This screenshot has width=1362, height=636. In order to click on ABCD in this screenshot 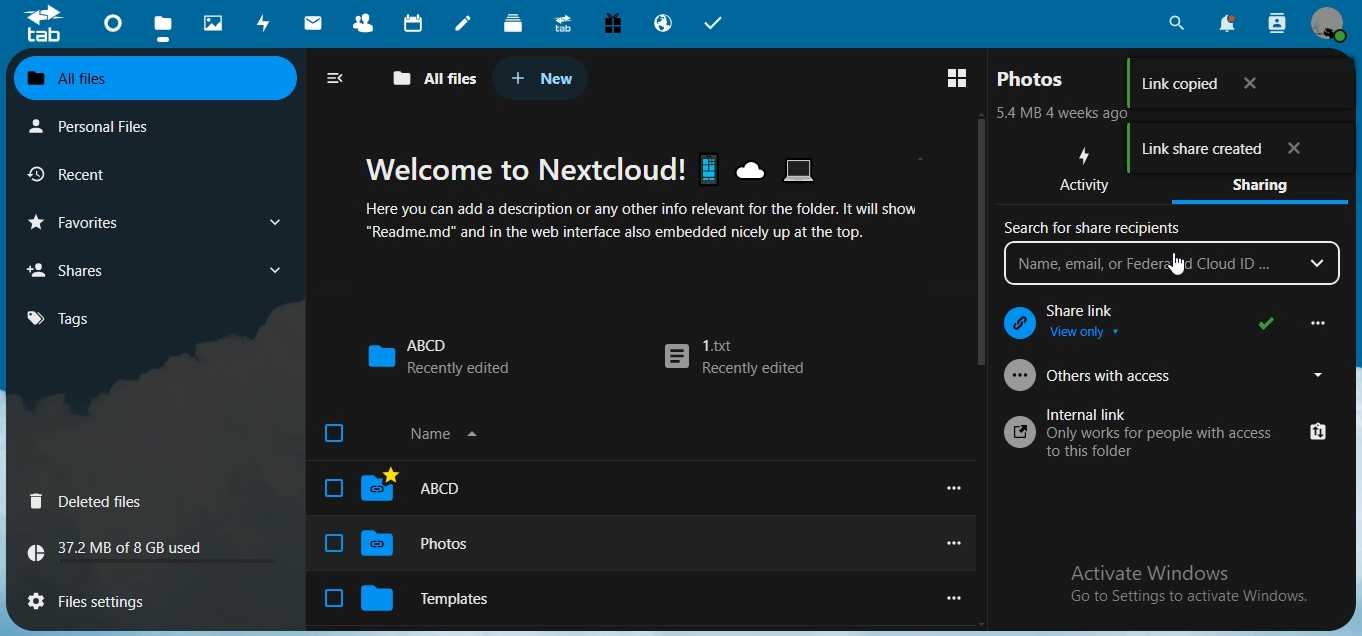, I will do `click(438, 356)`.